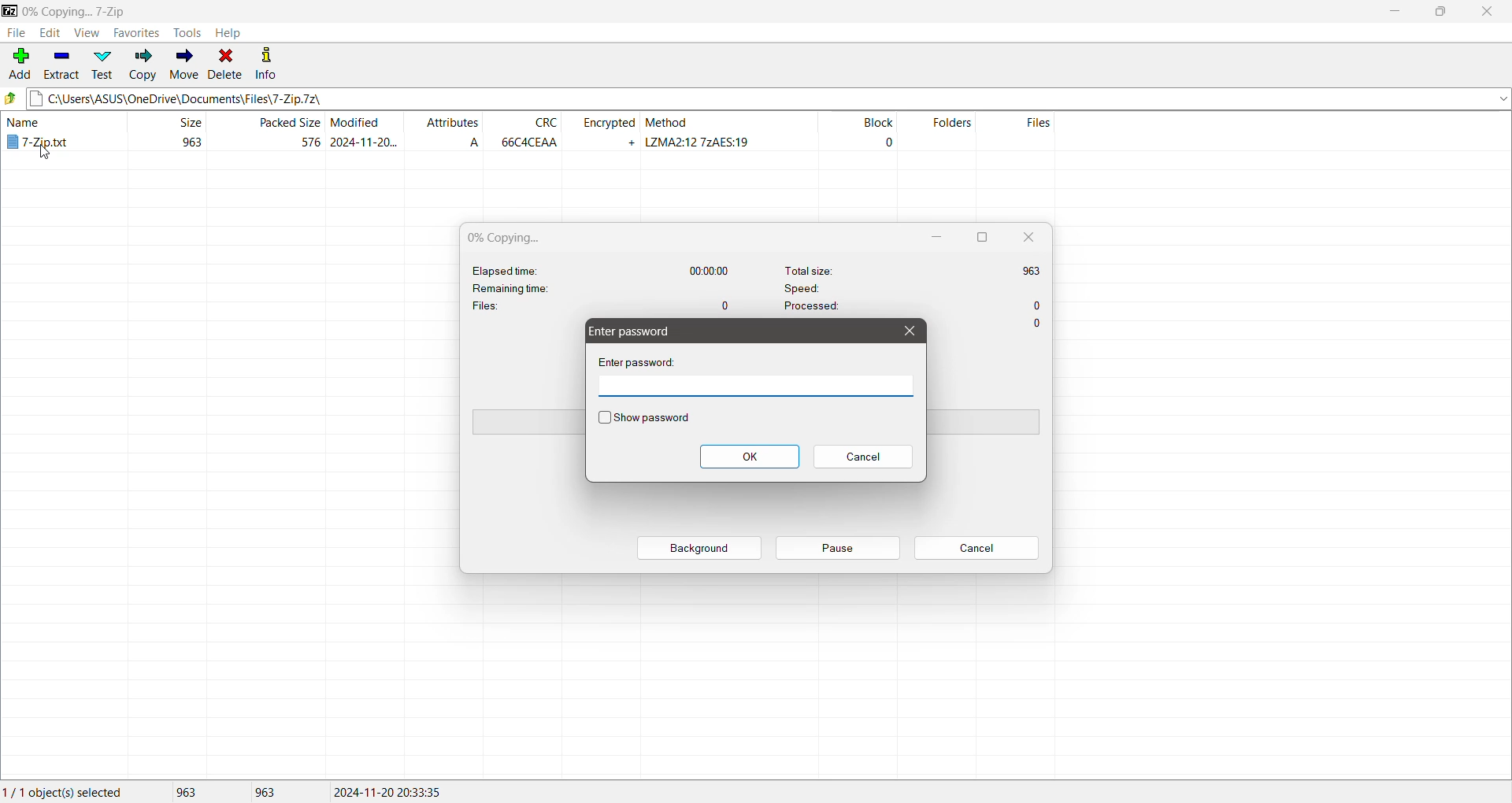 The width and height of the screenshot is (1512, 803). What do you see at coordinates (913, 268) in the screenshot?
I see `Total size` at bounding box center [913, 268].